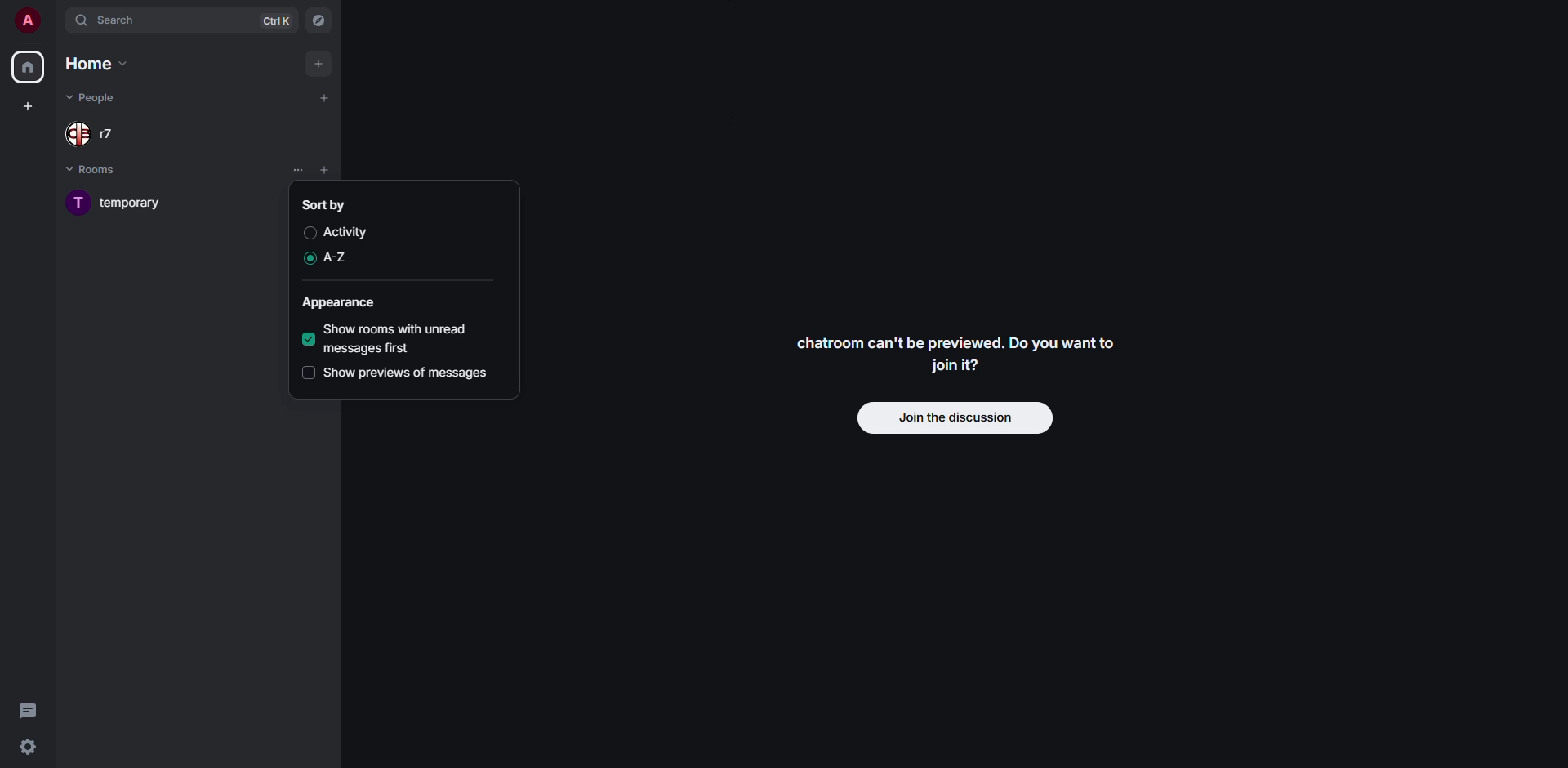  I want to click on list options, so click(346, 171).